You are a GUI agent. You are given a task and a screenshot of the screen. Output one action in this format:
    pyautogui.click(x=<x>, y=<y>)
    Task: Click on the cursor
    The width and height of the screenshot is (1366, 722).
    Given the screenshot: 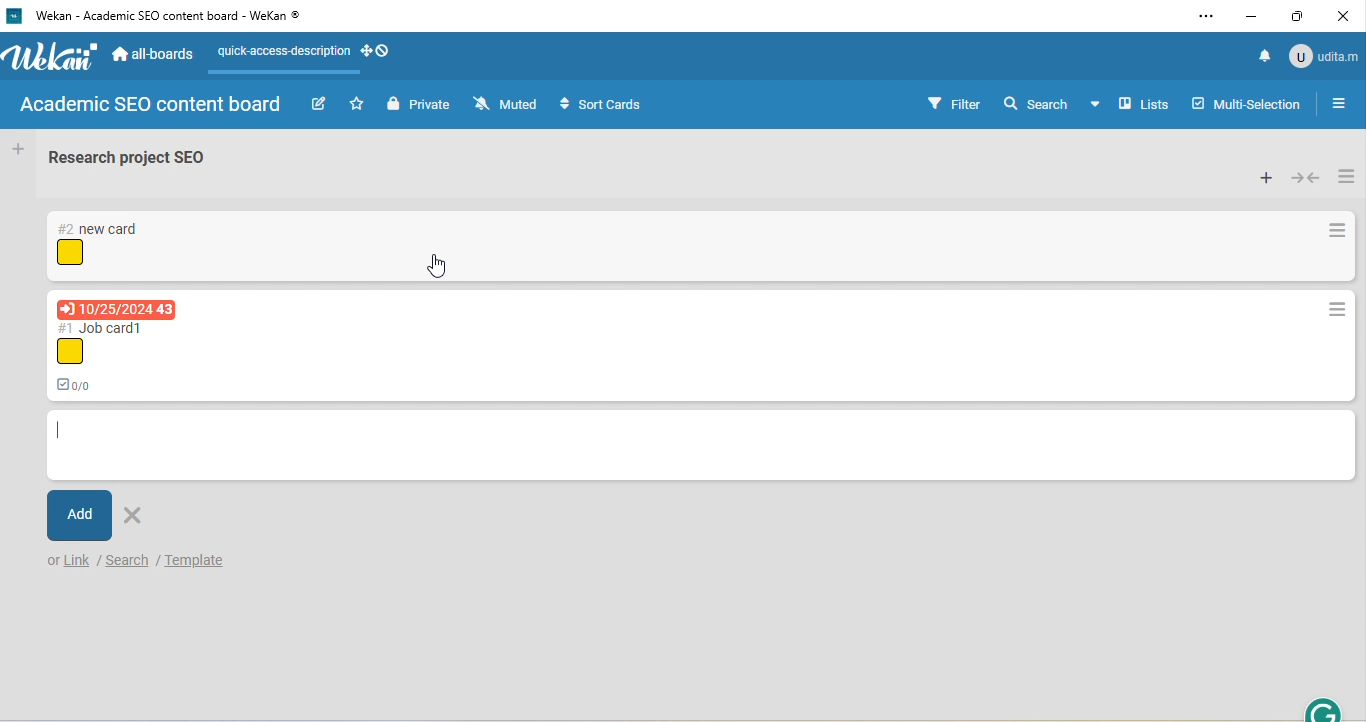 What is the action you would take?
    pyautogui.click(x=438, y=265)
    